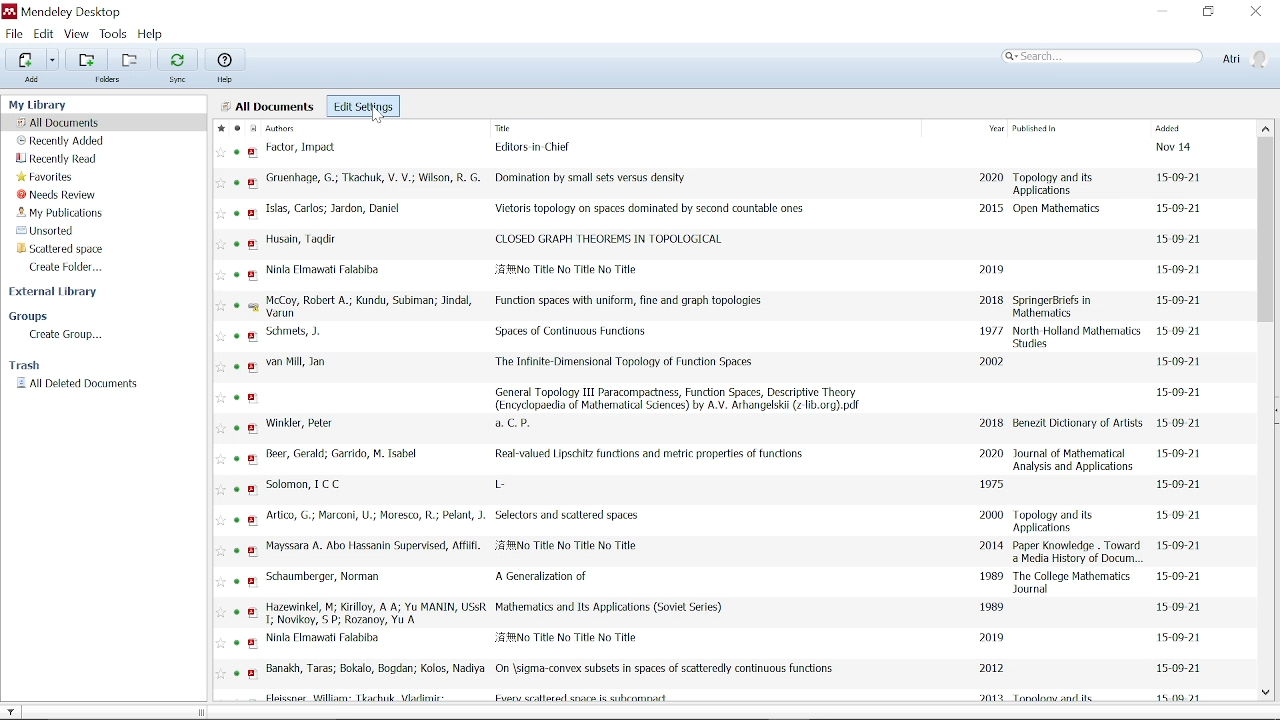 The width and height of the screenshot is (1280, 720). I want to click on View, so click(78, 34).